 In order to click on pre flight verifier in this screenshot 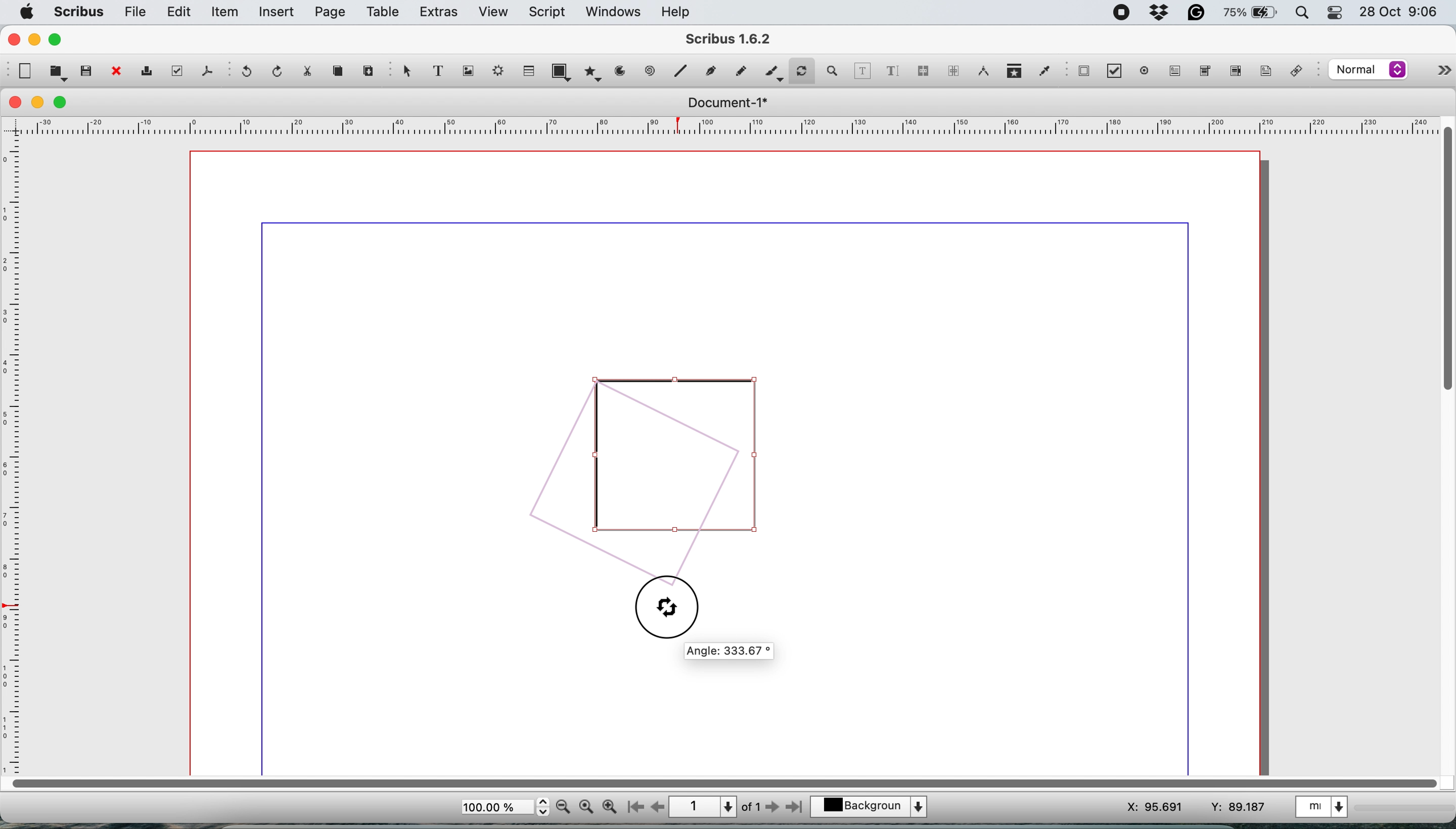, I will do `click(178, 72)`.